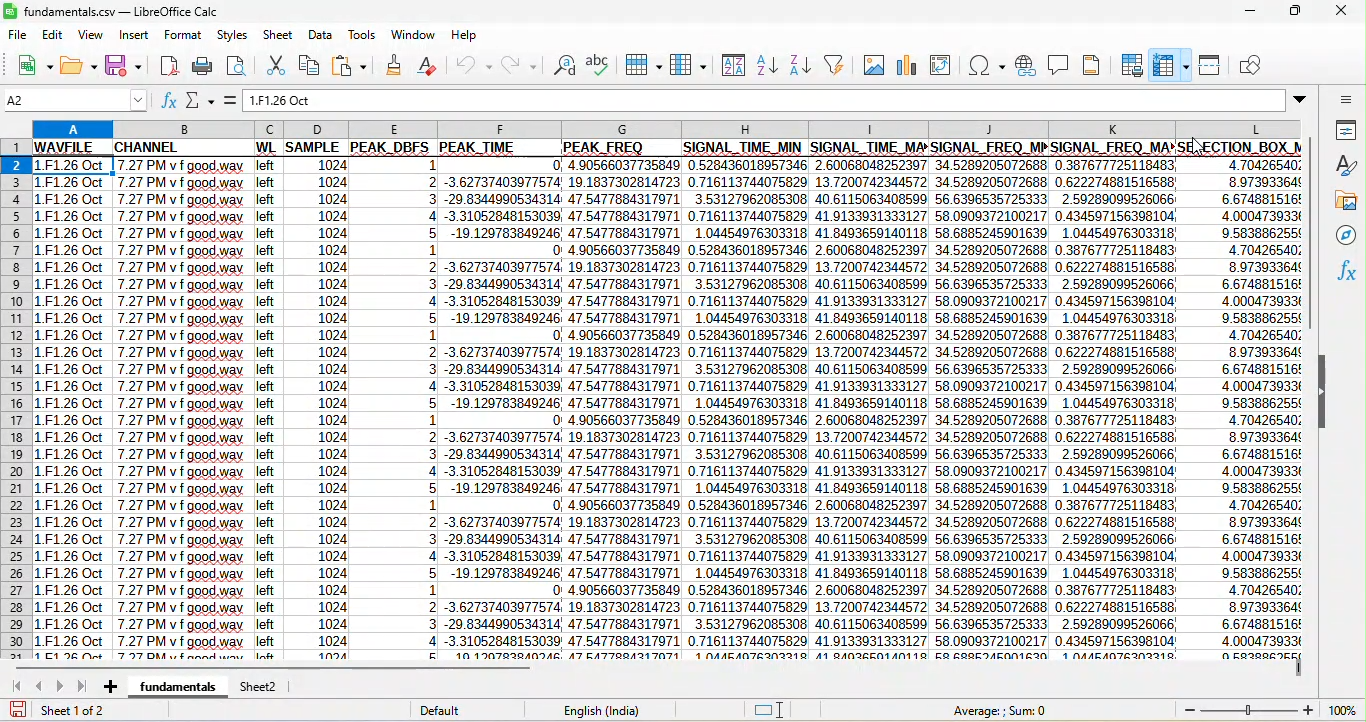  I want to click on maximize, so click(1295, 13).